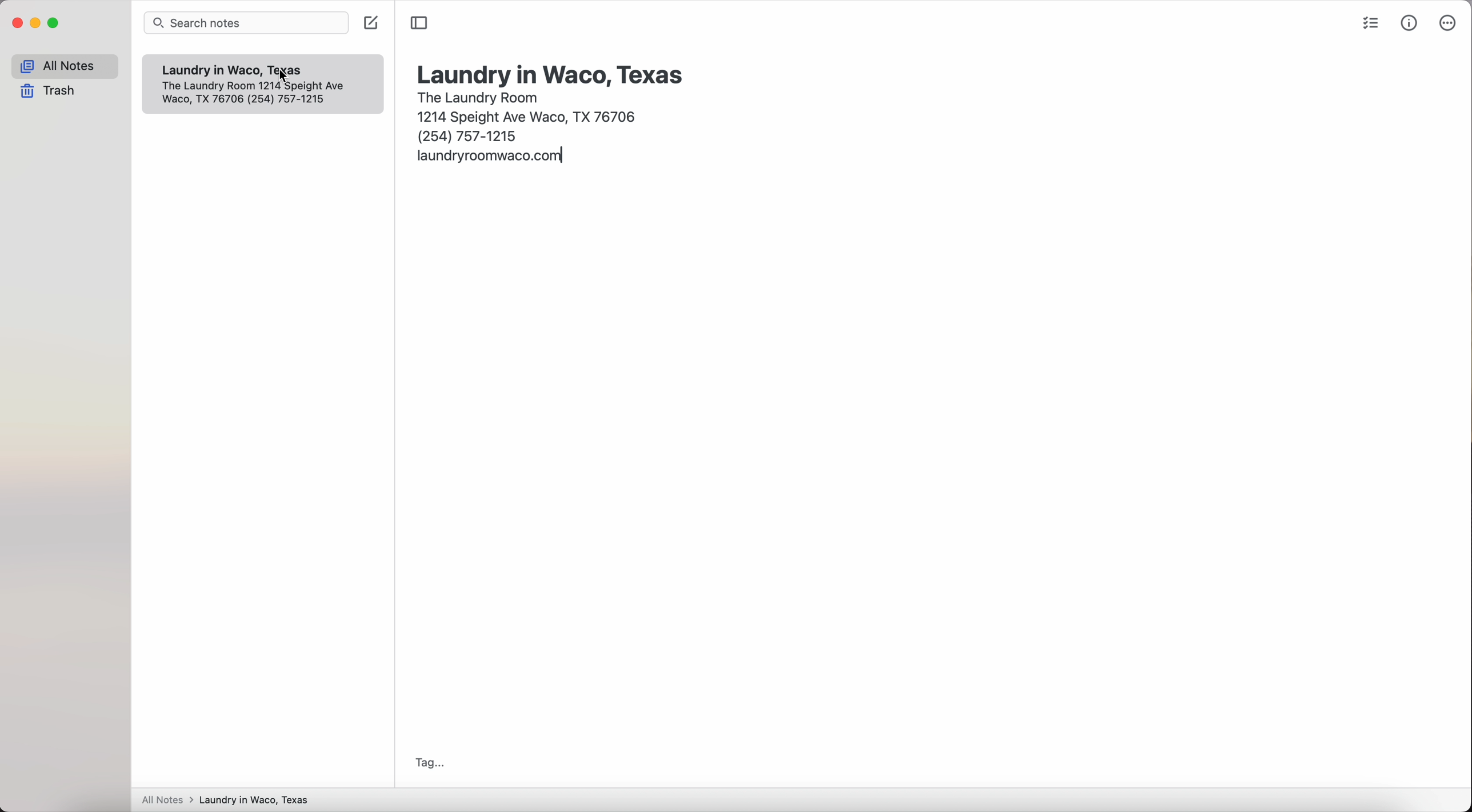 This screenshot has width=1472, height=812. Describe the element at coordinates (18, 23) in the screenshot. I see `close app` at that location.